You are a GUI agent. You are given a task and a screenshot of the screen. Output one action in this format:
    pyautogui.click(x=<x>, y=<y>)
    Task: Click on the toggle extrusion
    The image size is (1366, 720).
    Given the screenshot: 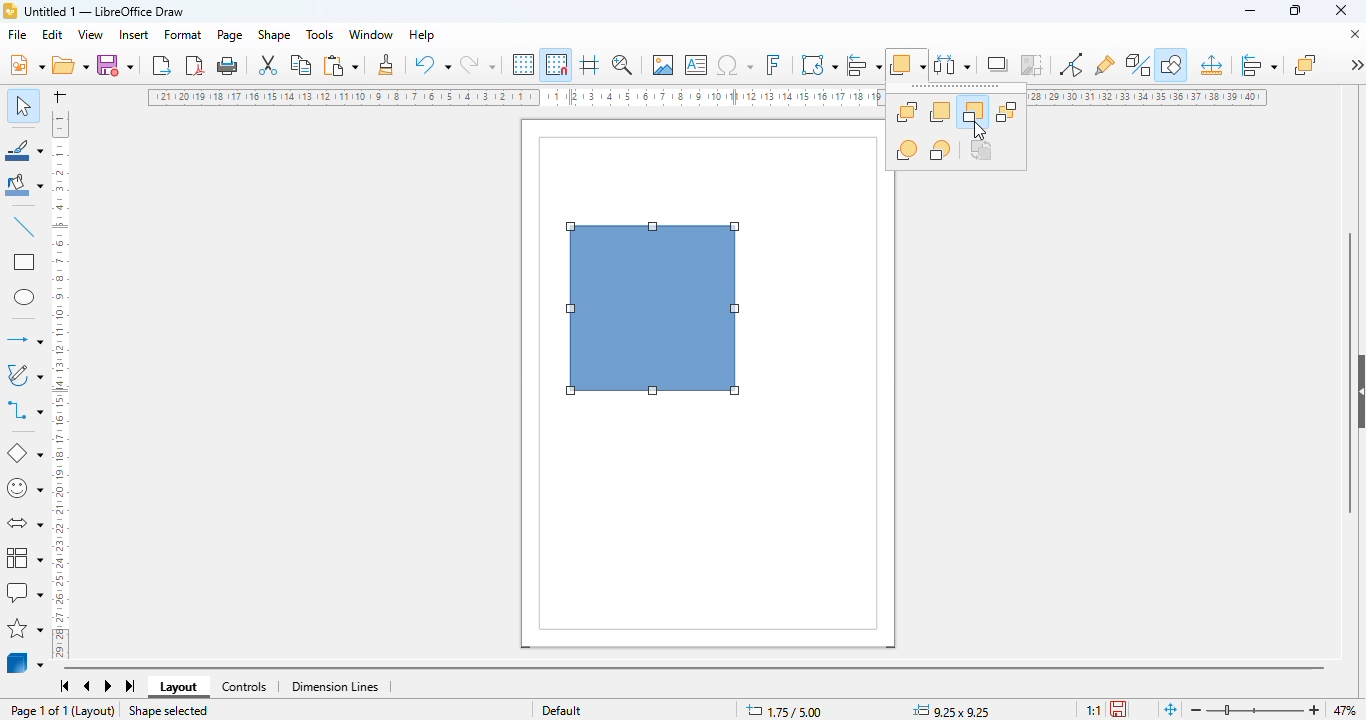 What is the action you would take?
    pyautogui.click(x=1139, y=65)
    